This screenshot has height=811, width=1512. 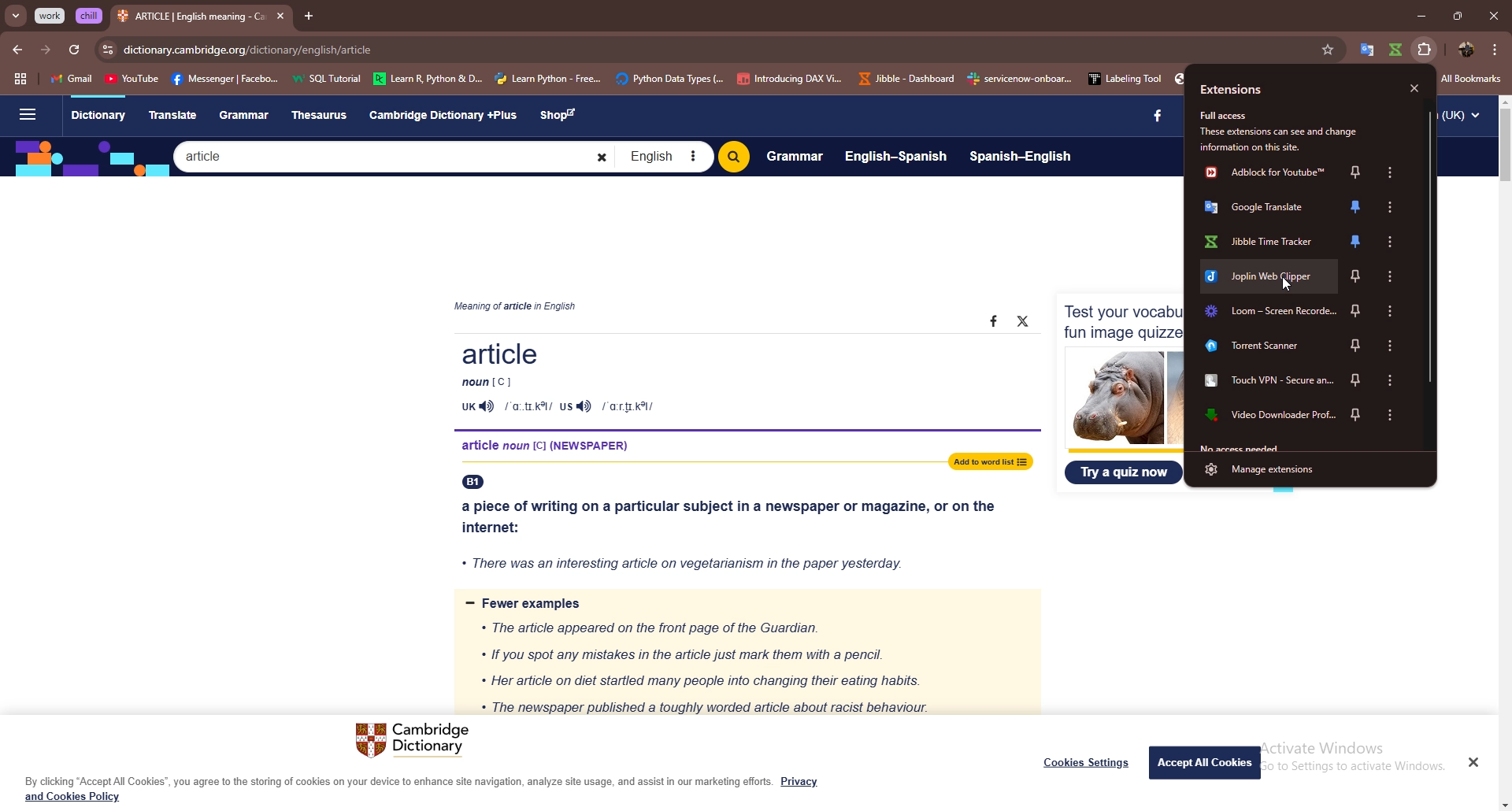 I want to click on tab, so click(x=191, y=18).